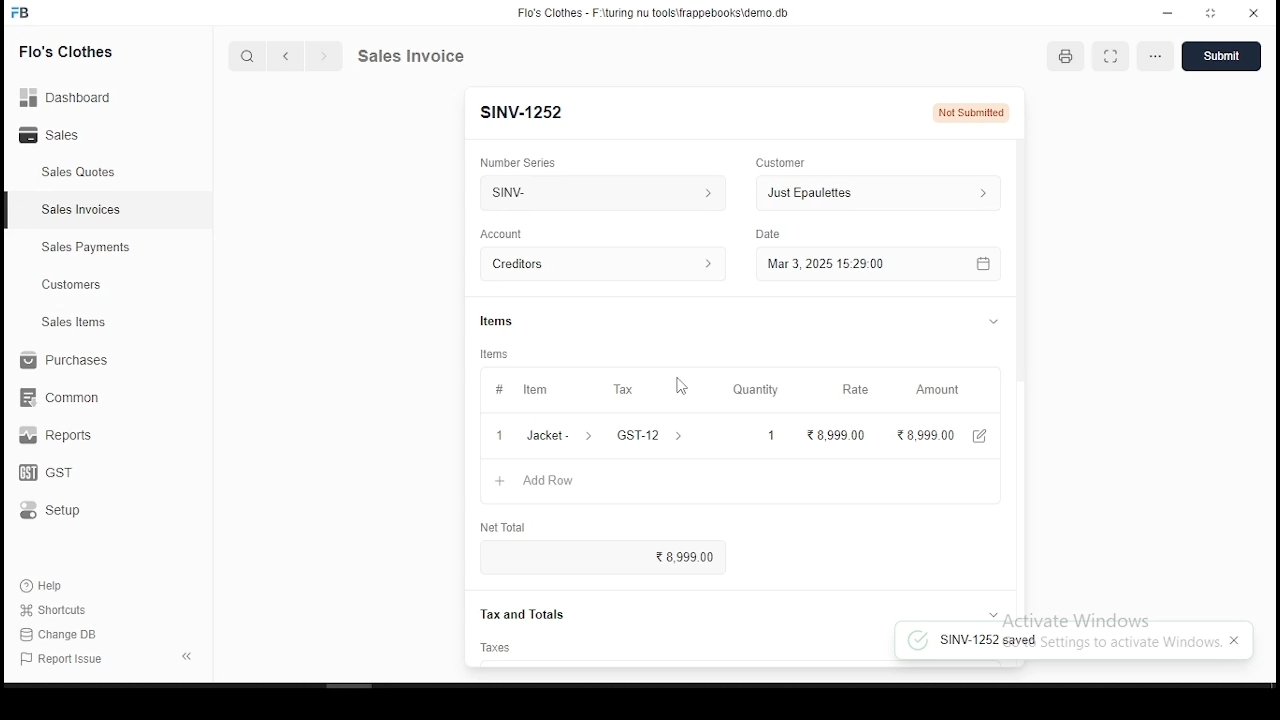 The image size is (1280, 720). What do you see at coordinates (655, 12) in the screenshot?
I see `Flo's Clothes - F-\turing nu tools\frappebooks\demo db` at bounding box center [655, 12].